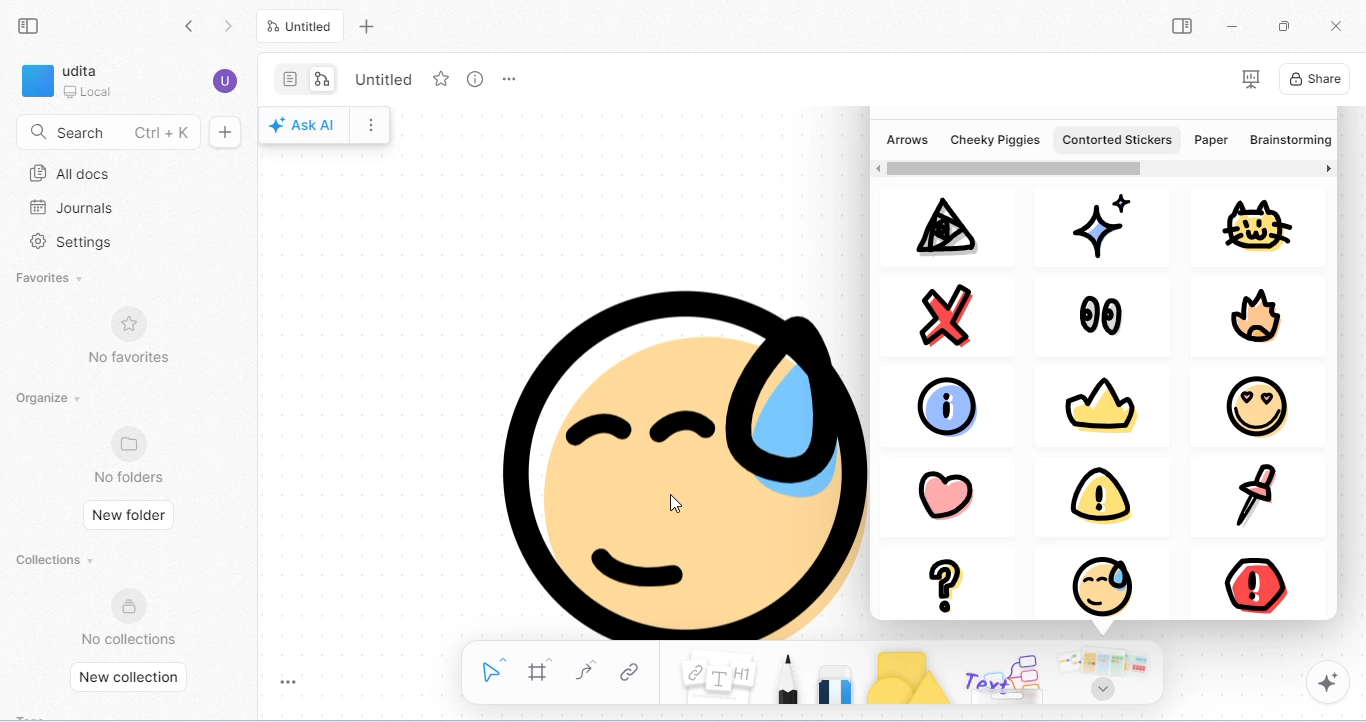  I want to click on pencil, so click(788, 678).